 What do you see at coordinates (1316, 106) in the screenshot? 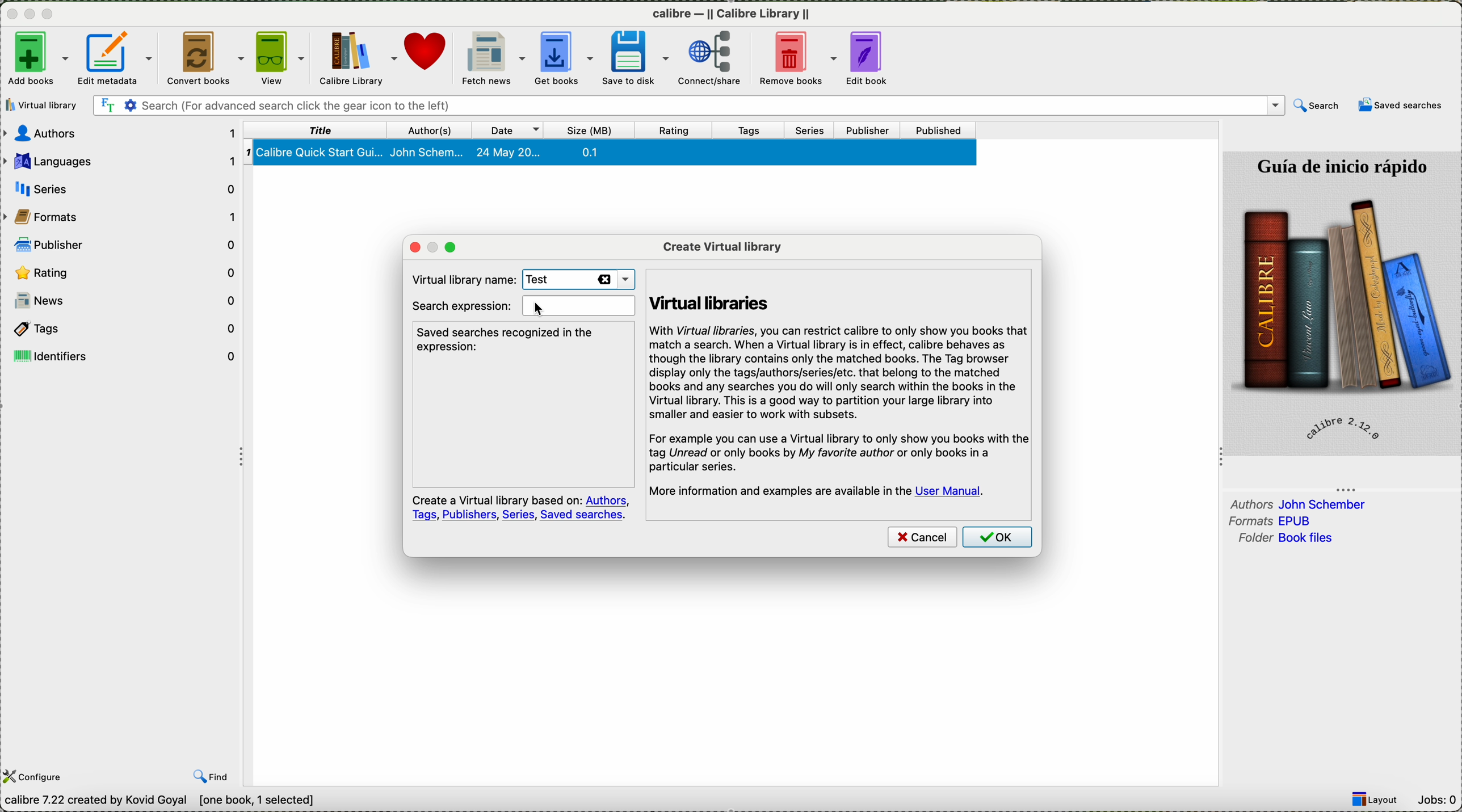
I see `search` at bounding box center [1316, 106].